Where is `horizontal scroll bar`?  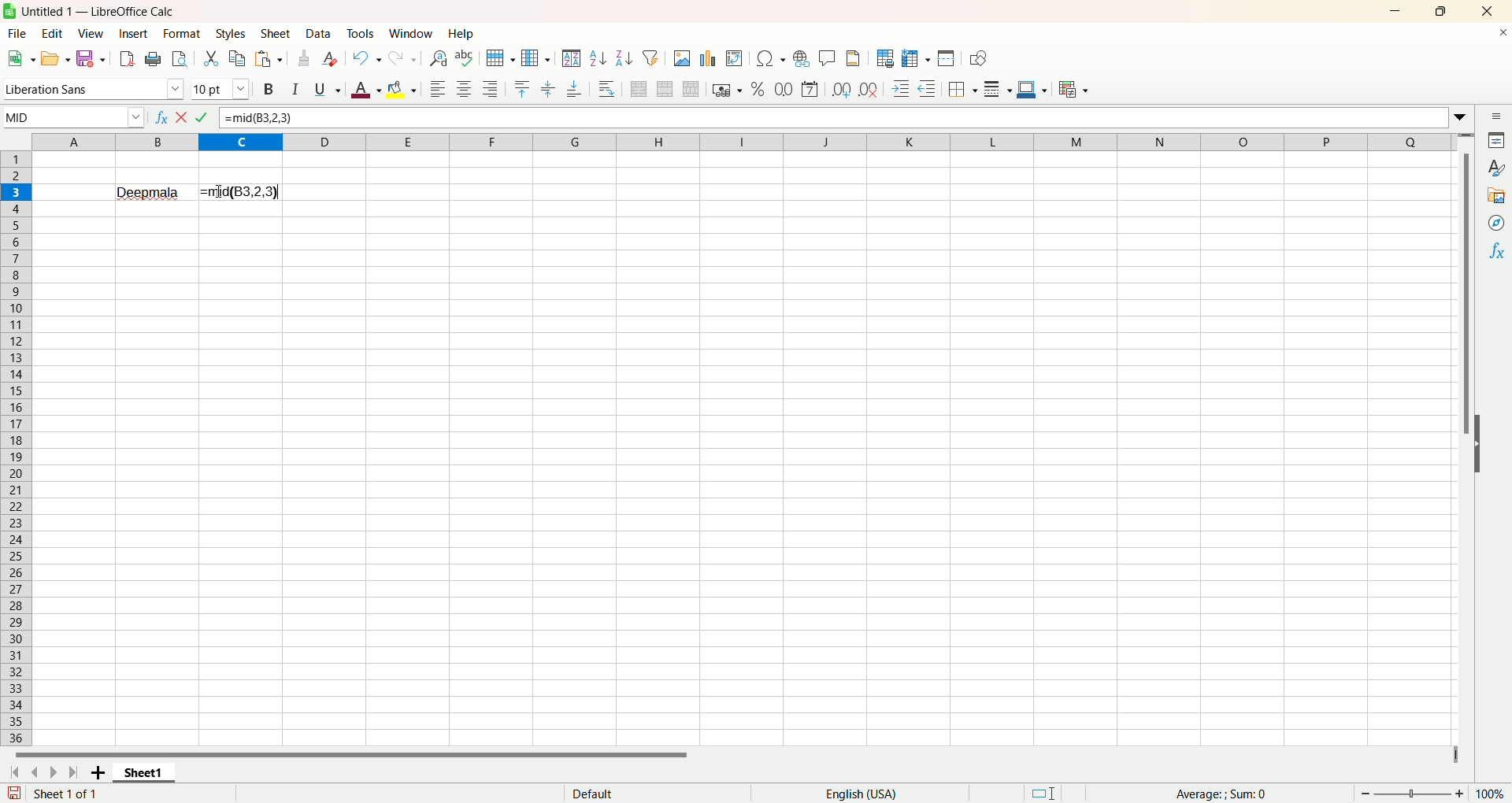 horizontal scroll bar is located at coordinates (730, 759).